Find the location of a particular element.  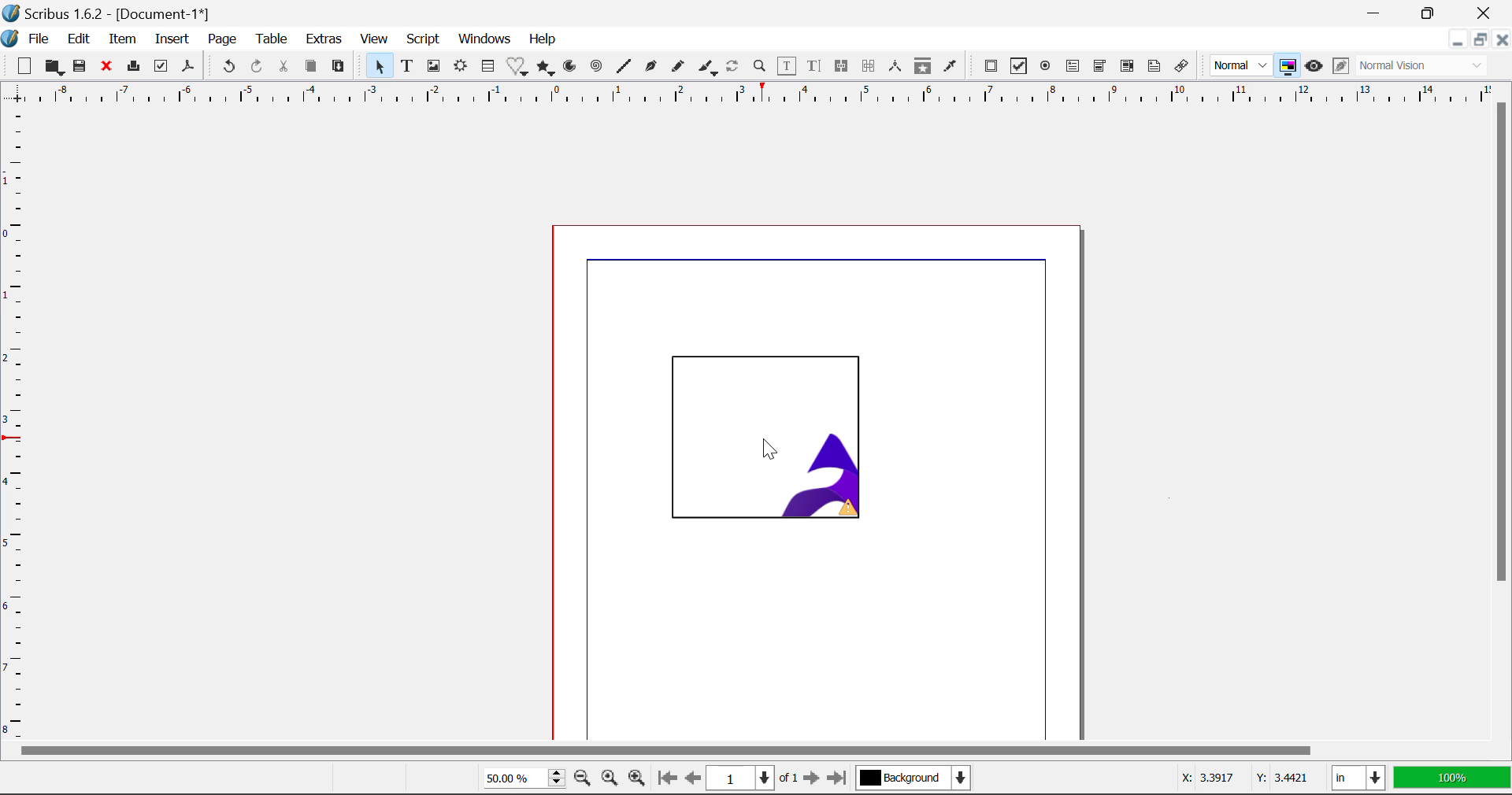

Vertical Margins is located at coordinates (756, 95).